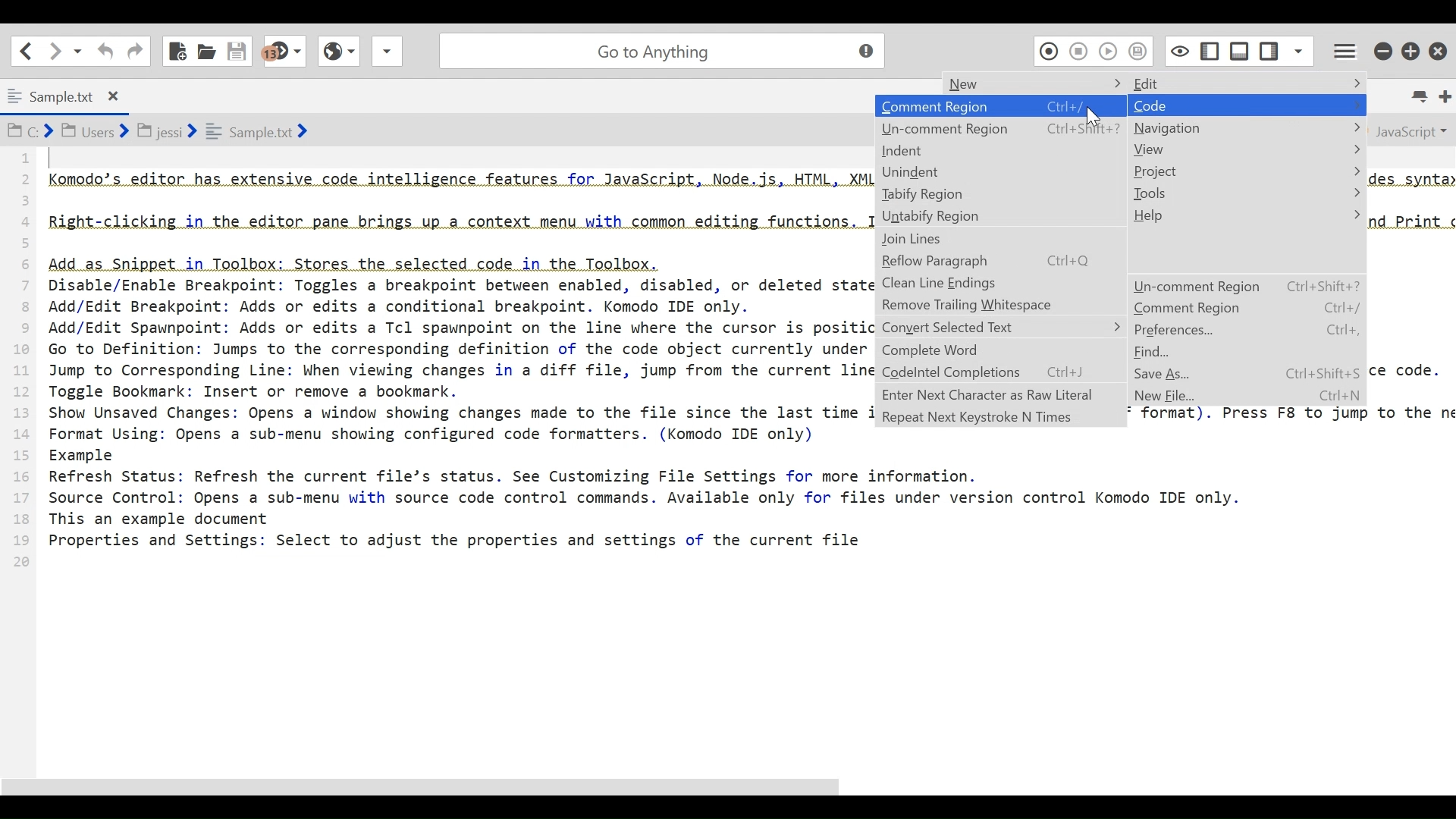 Image resolution: width=1456 pixels, height=819 pixels. I want to click on Undo, so click(104, 51).